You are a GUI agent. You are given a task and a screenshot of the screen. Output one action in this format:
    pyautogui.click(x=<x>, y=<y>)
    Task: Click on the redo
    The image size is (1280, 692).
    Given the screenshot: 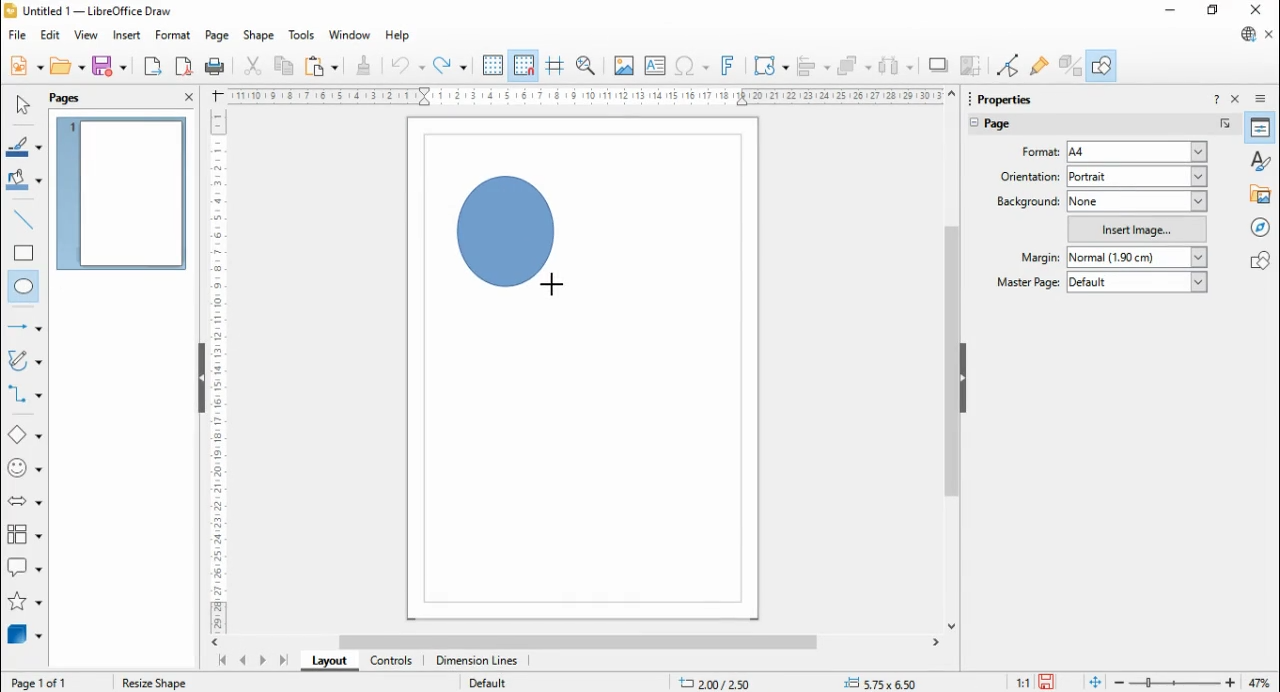 What is the action you would take?
    pyautogui.click(x=450, y=66)
    